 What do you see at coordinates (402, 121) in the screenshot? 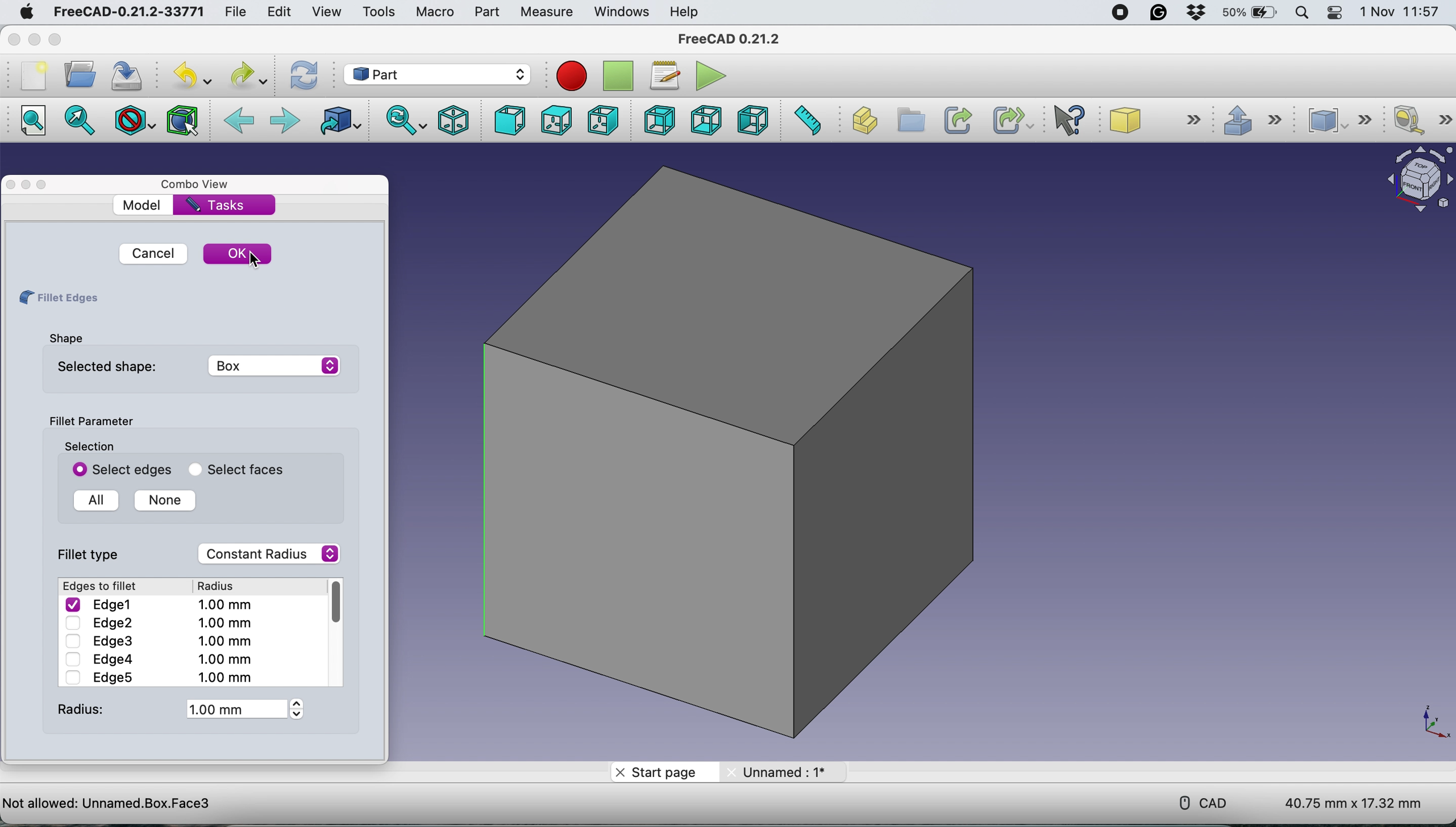
I see `sync view` at bounding box center [402, 121].